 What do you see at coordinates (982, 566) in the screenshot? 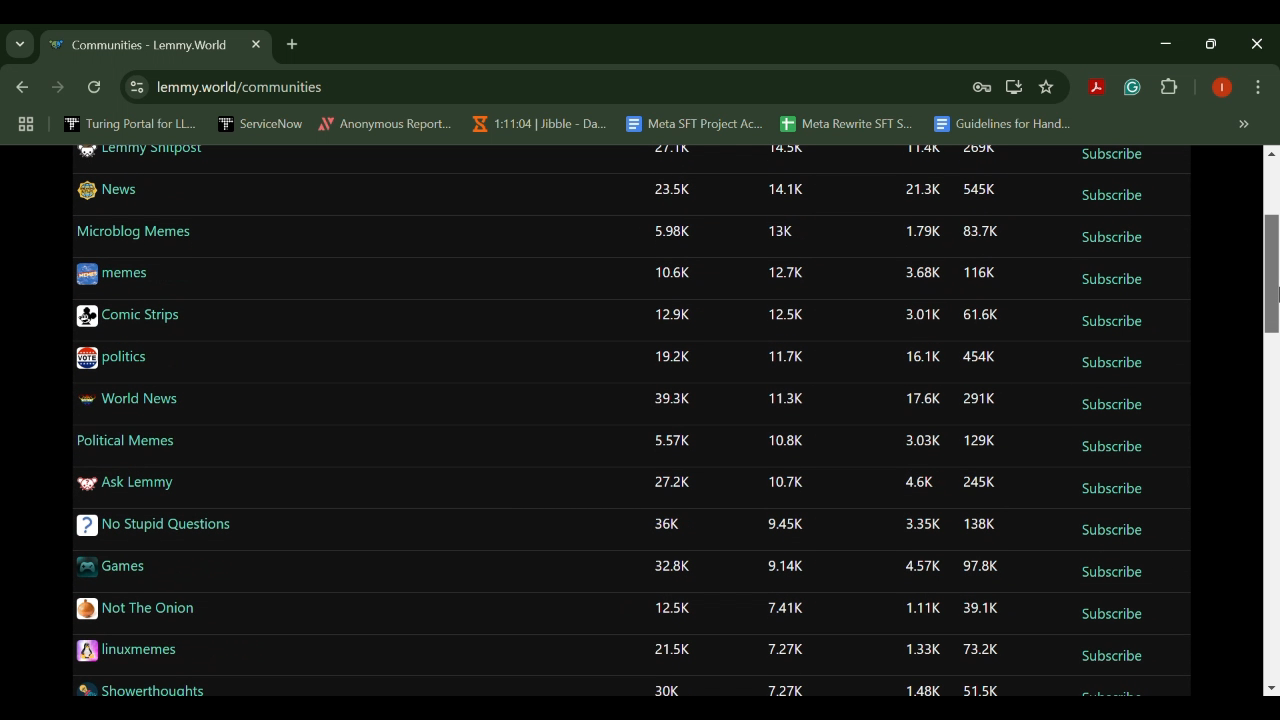
I see `97.8K` at bounding box center [982, 566].